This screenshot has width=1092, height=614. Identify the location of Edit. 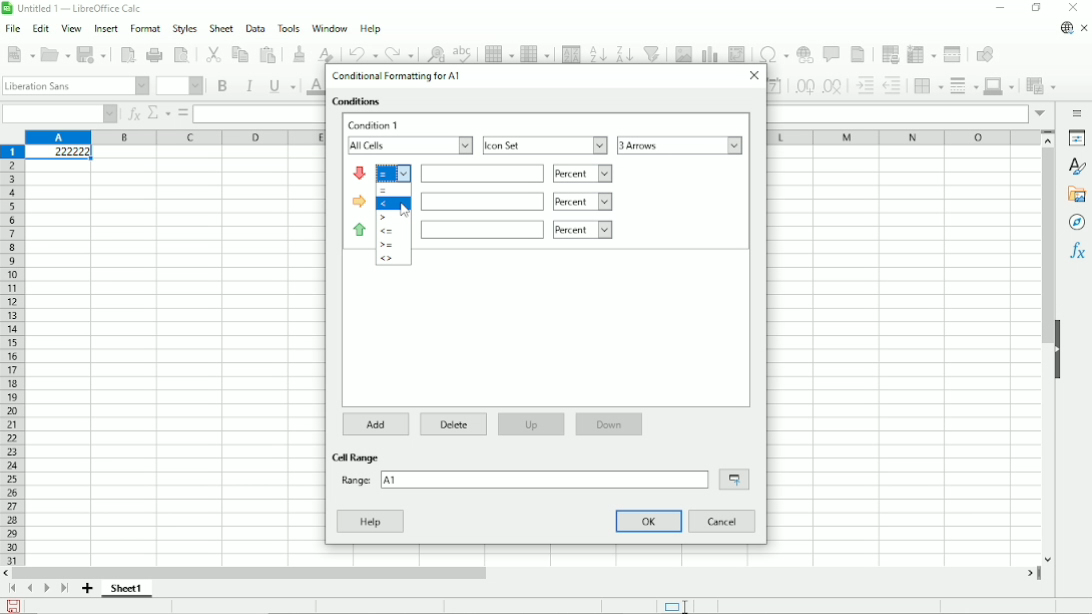
(40, 30).